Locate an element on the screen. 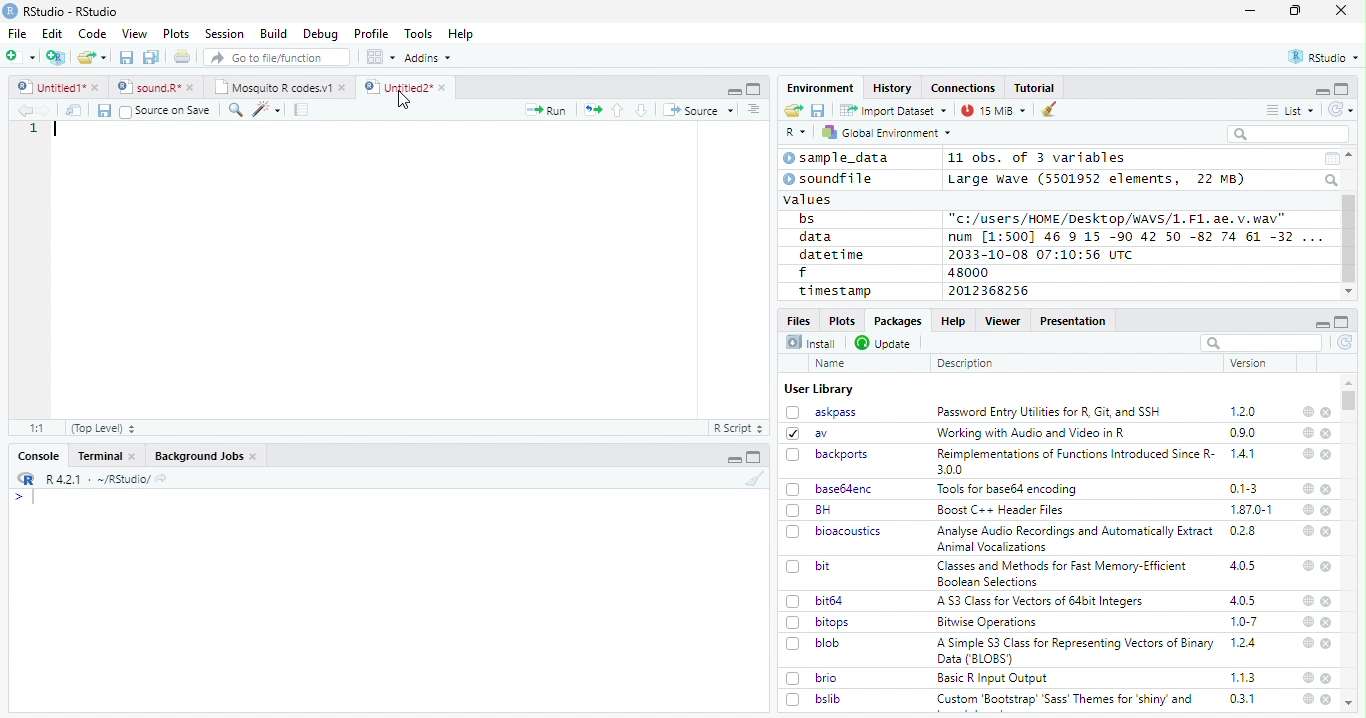 The height and width of the screenshot is (718, 1366). Run the current line is located at coordinates (546, 110).